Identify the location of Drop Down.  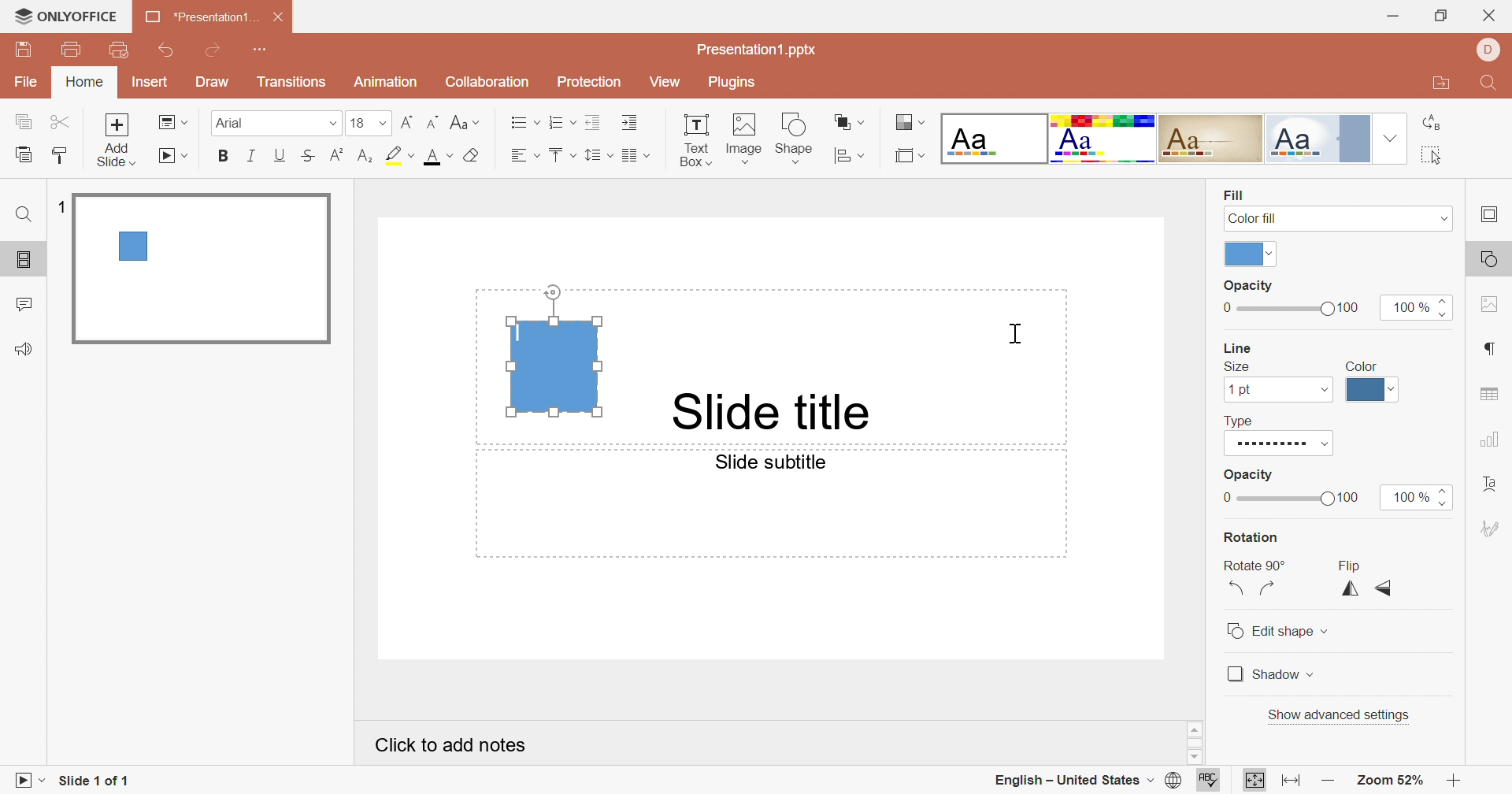
(1392, 140).